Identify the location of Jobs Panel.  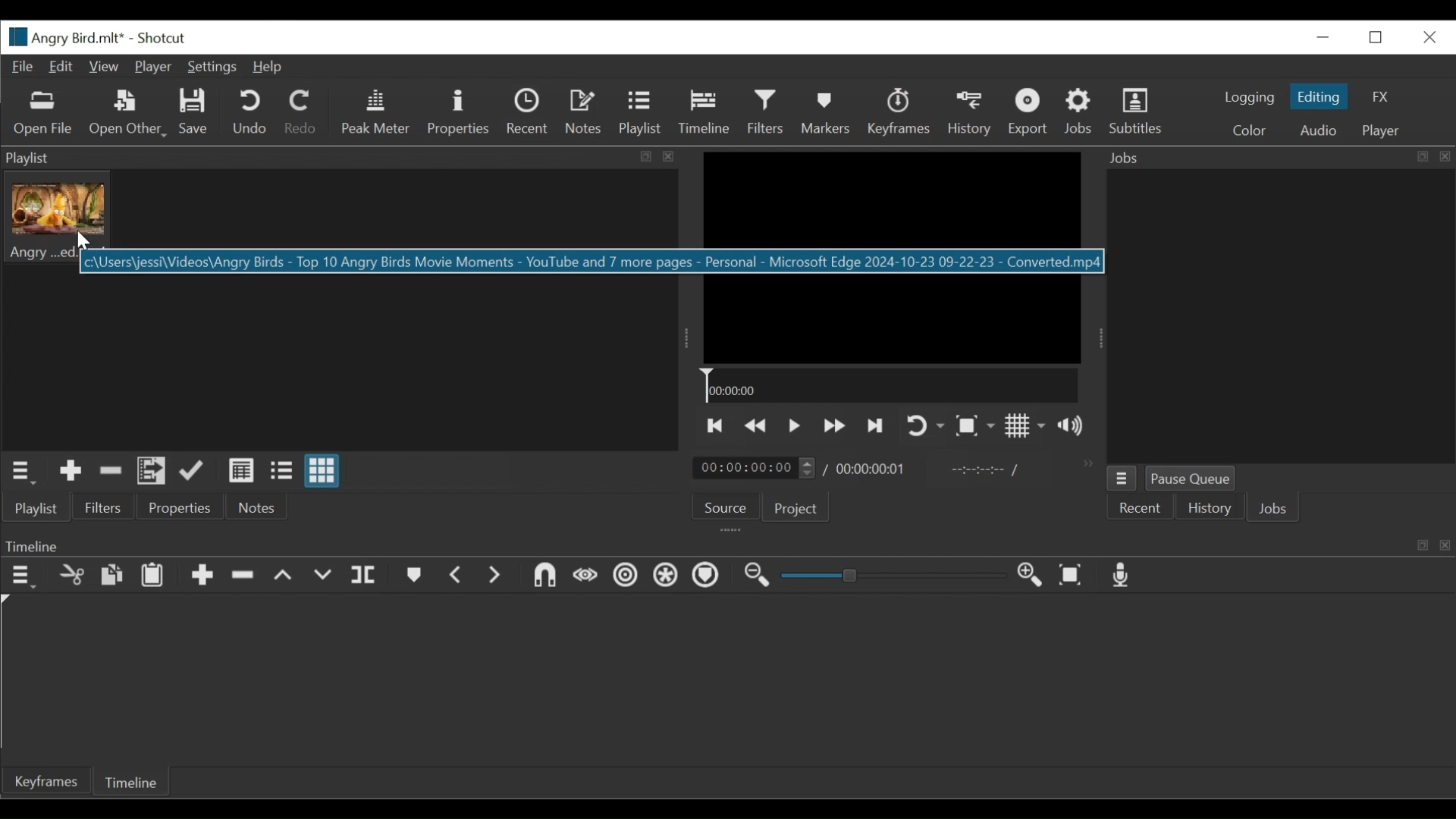
(1287, 317).